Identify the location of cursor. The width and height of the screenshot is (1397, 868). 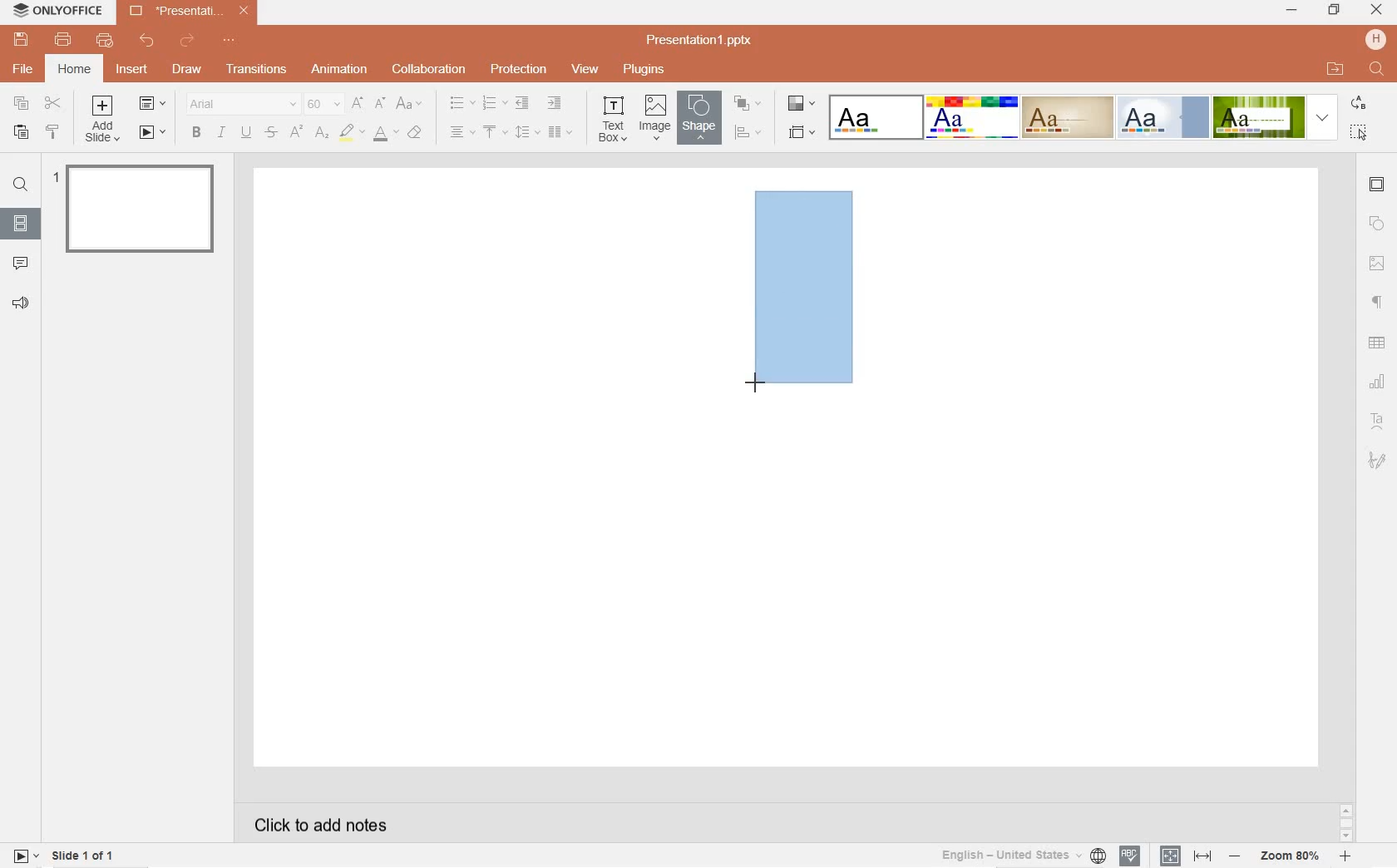
(758, 381).